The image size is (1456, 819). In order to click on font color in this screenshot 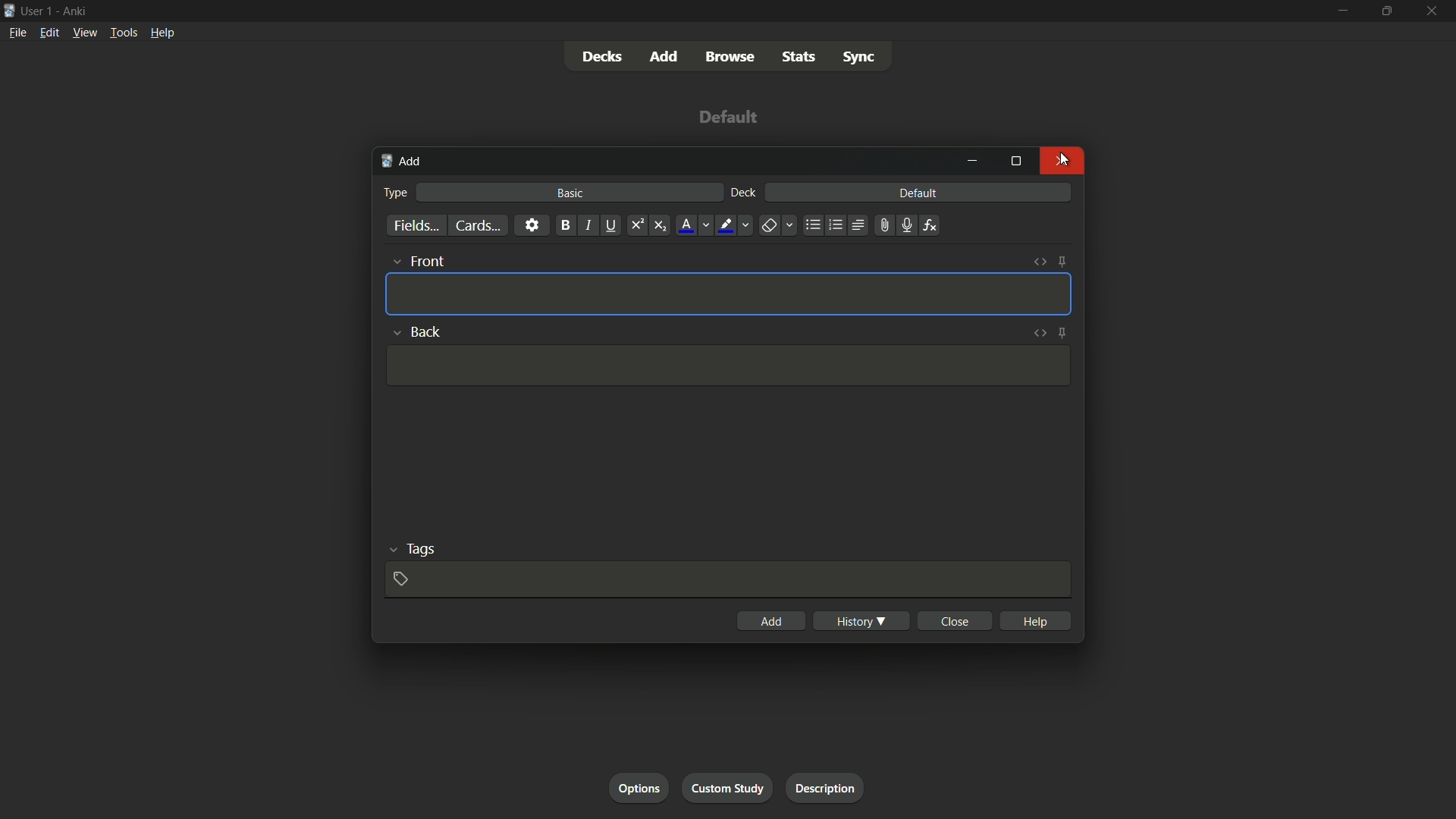, I will do `click(695, 225)`.